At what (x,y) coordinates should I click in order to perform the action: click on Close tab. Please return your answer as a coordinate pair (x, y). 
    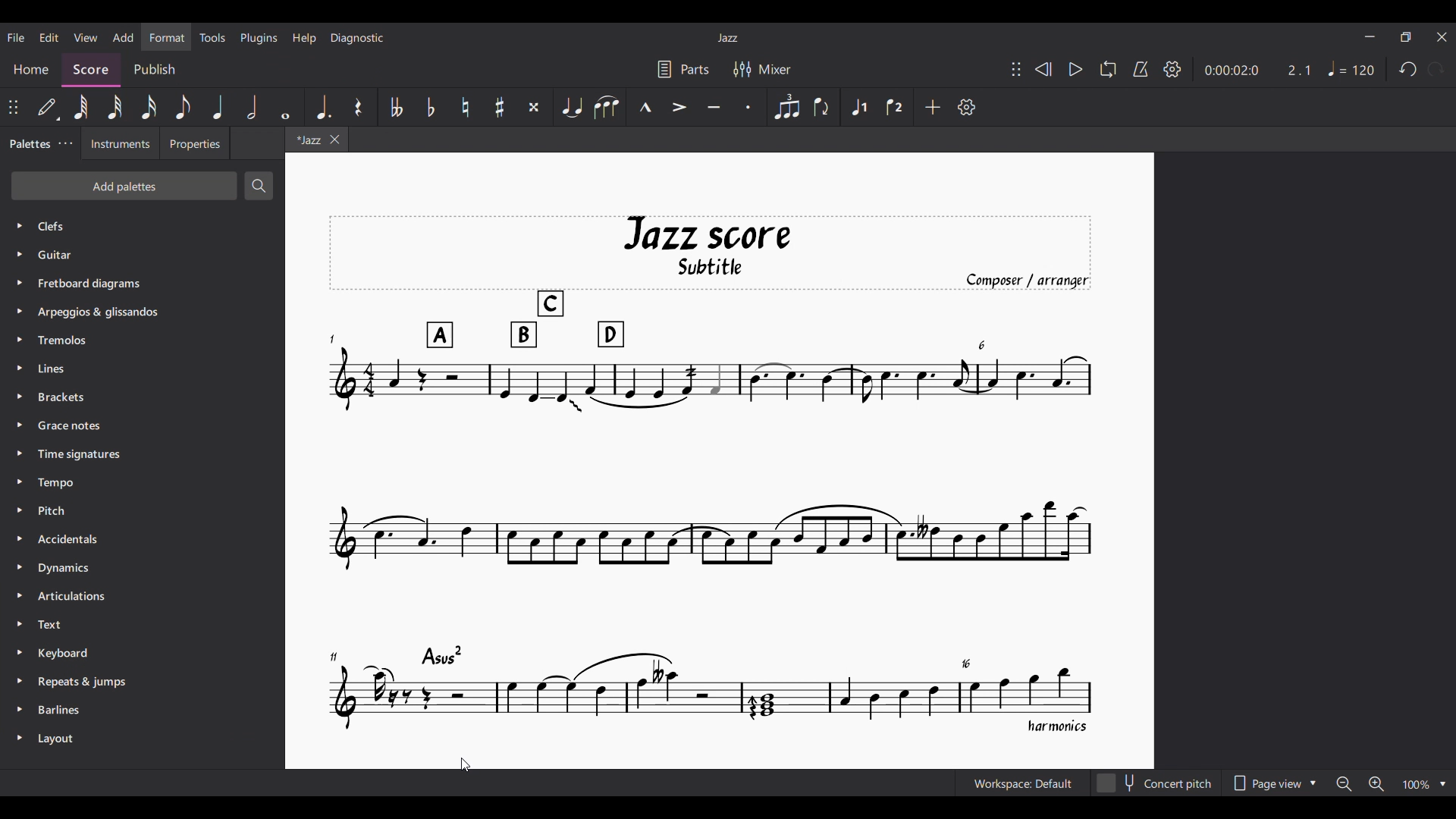
    Looking at the image, I should click on (334, 140).